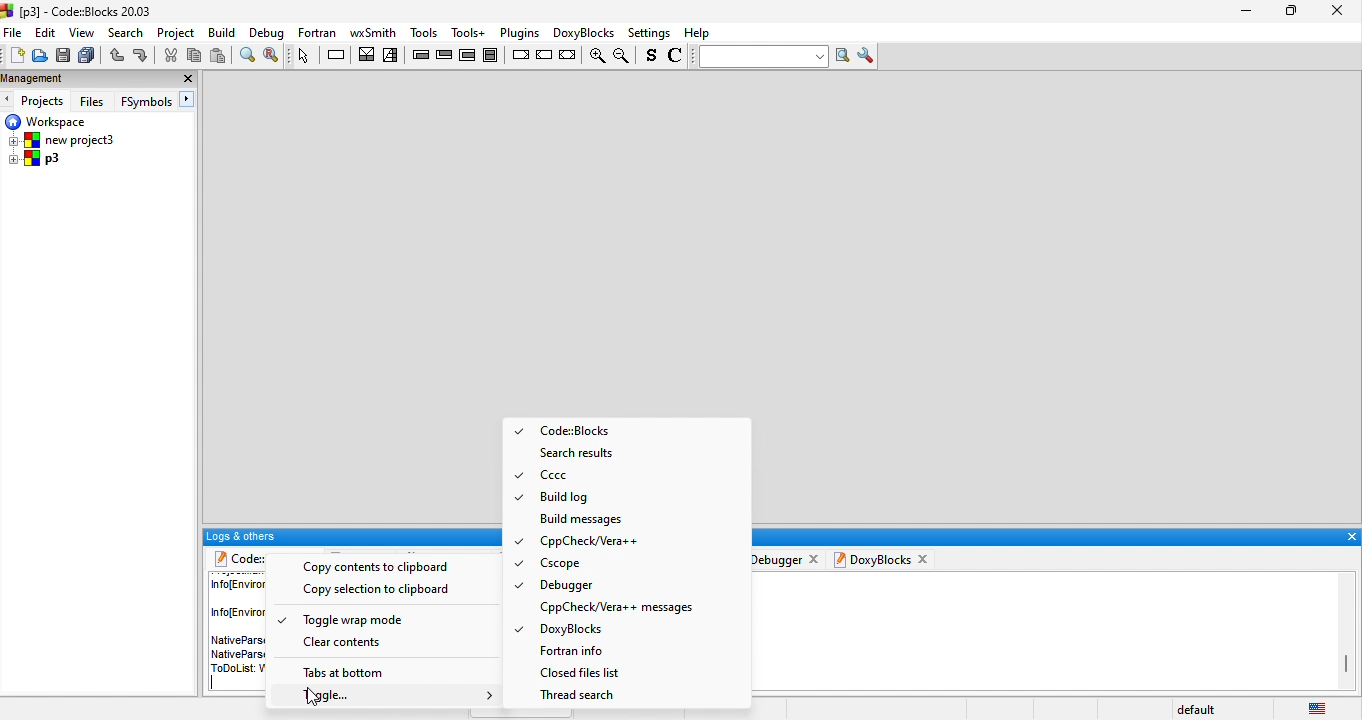 This screenshot has width=1362, height=720. Describe the element at coordinates (595, 57) in the screenshot. I see `zoom in` at that location.